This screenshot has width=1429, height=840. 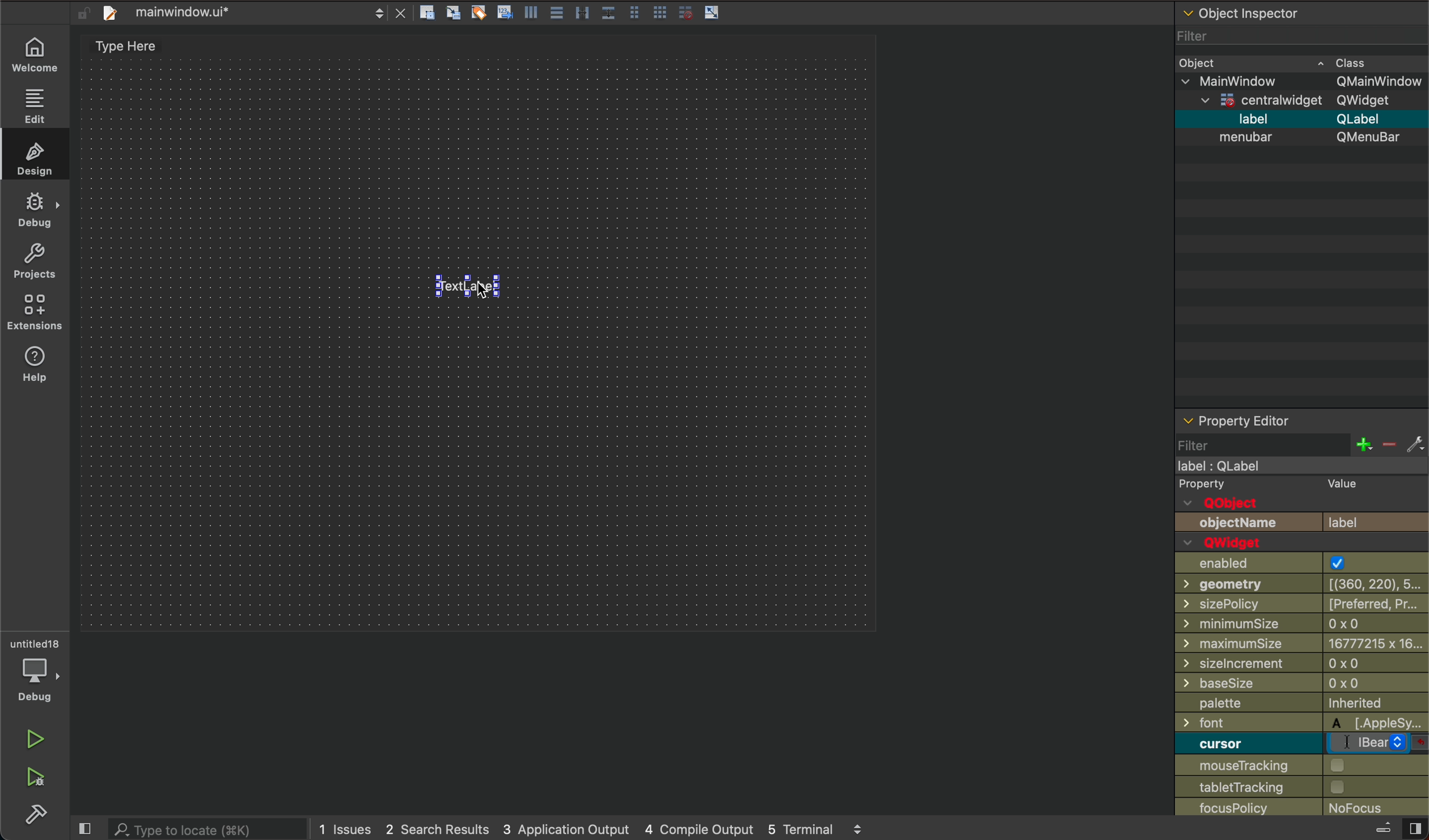 What do you see at coordinates (1377, 743) in the screenshot?
I see `bear` at bounding box center [1377, 743].